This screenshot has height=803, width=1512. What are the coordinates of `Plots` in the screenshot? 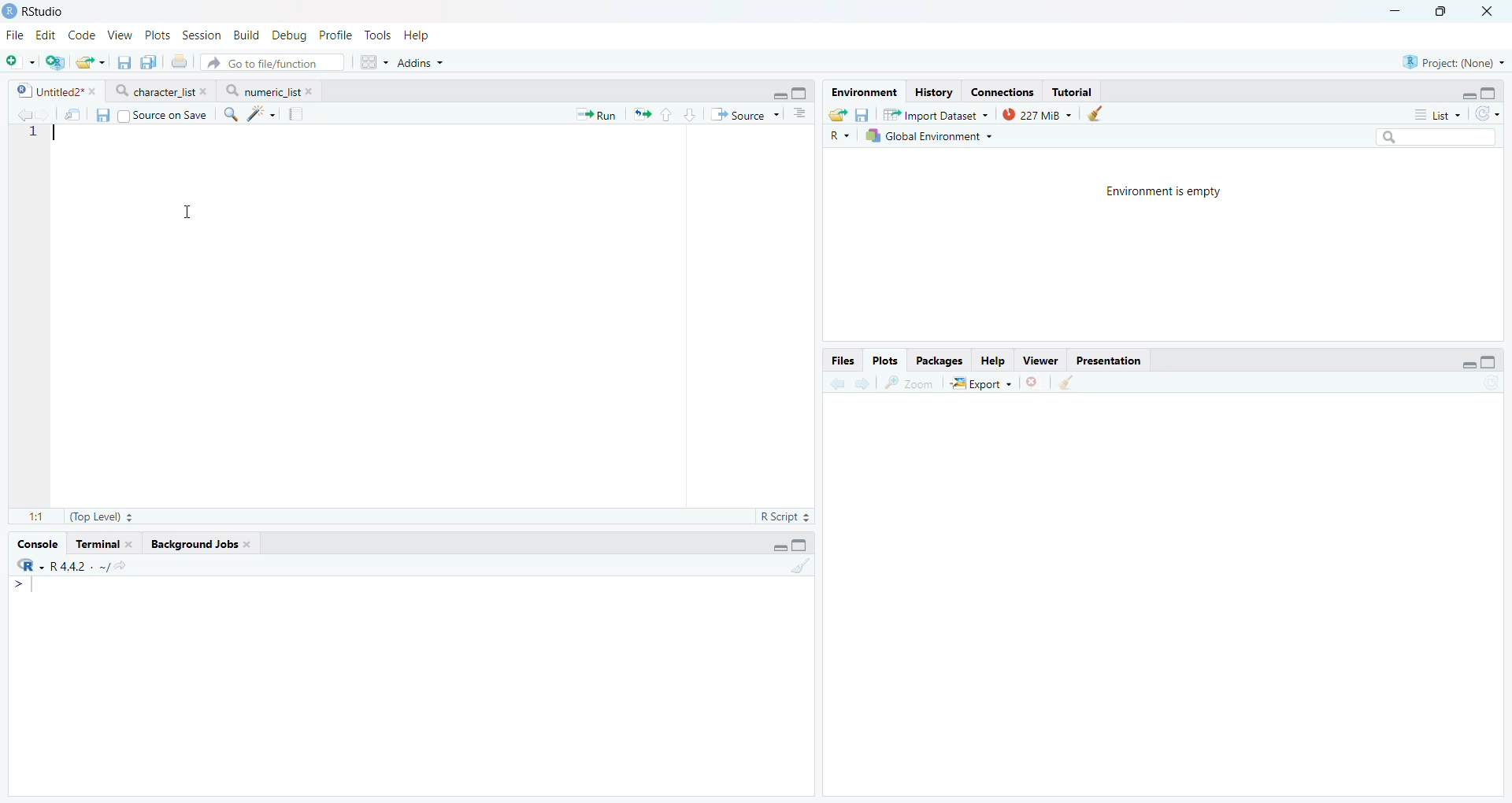 It's located at (158, 34).